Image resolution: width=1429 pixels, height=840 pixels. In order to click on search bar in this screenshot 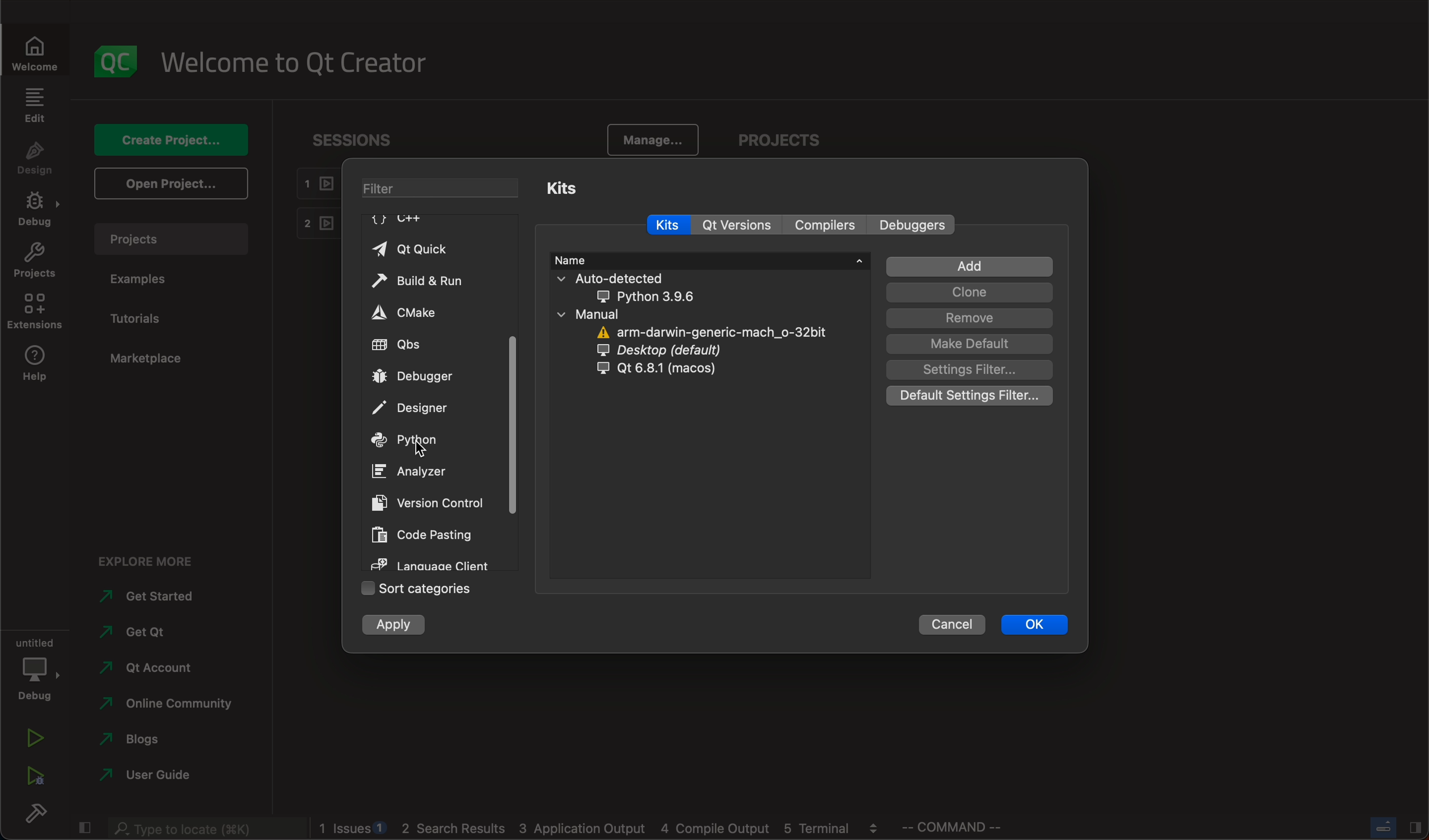, I will do `click(204, 828)`.